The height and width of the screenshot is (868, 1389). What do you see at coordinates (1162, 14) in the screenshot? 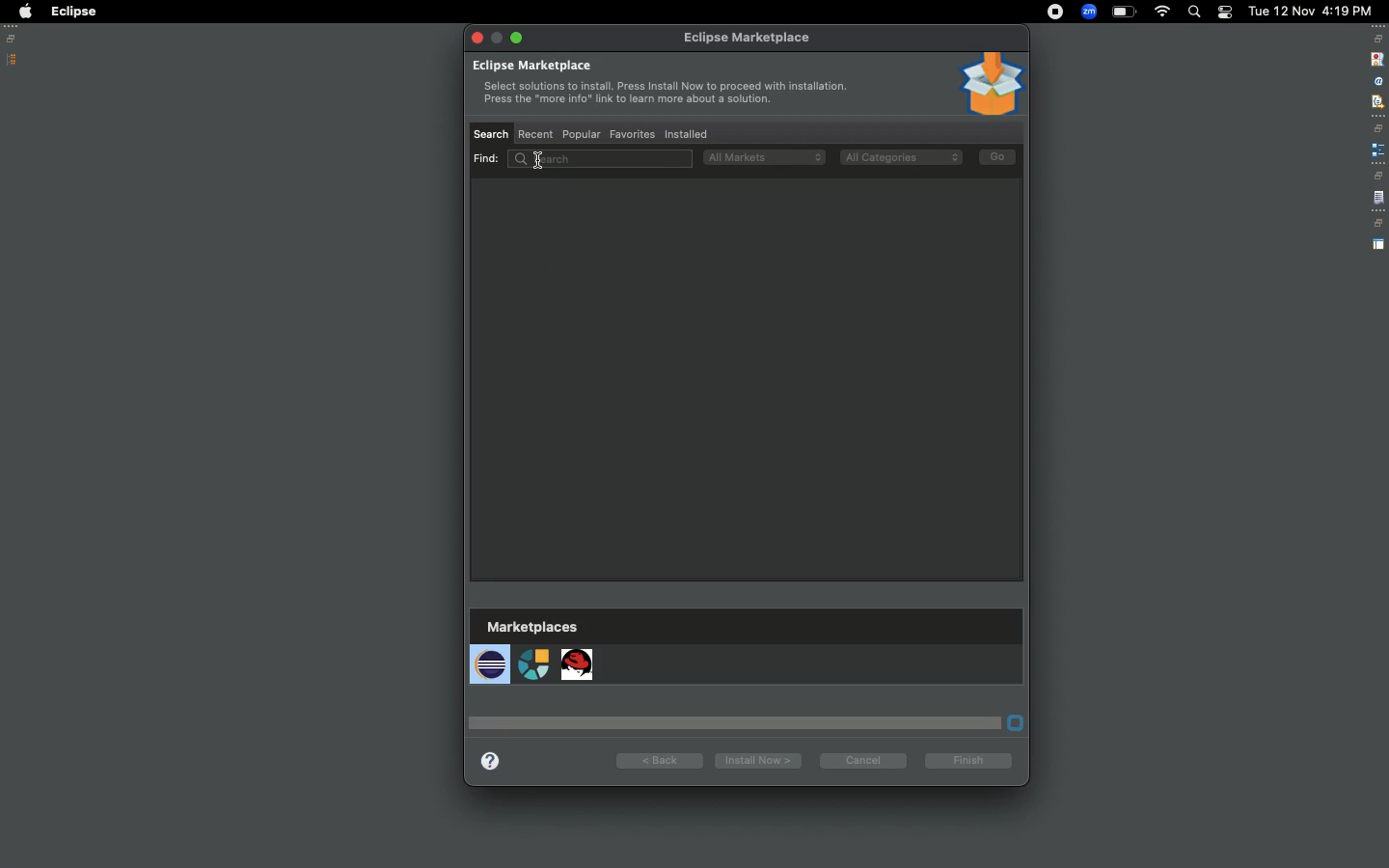
I see `Internet` at bounding box center [1162, 14].